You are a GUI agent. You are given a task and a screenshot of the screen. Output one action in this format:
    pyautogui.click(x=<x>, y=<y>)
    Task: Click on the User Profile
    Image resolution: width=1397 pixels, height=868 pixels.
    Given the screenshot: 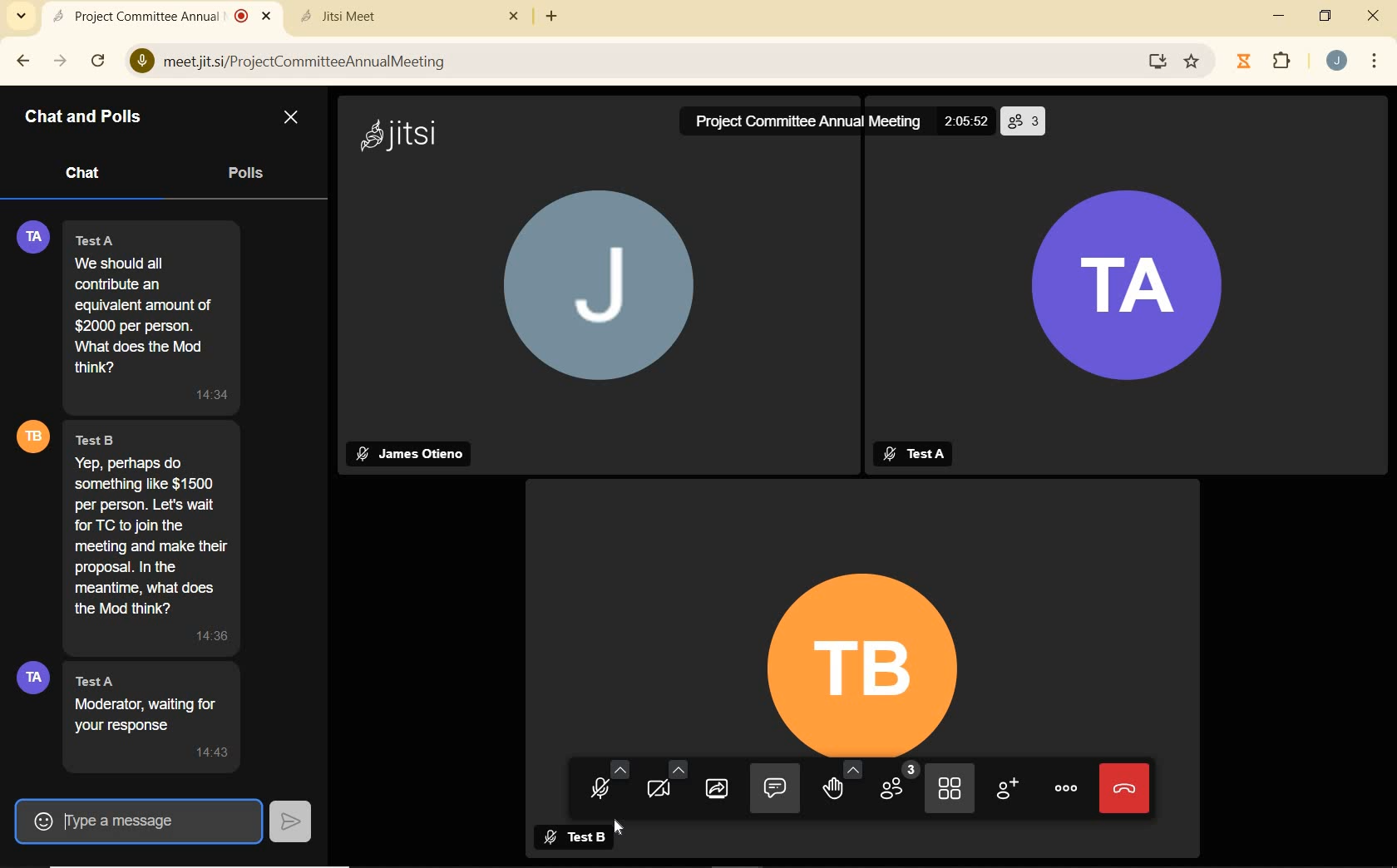 What is the action you would take?
    pyautogui.click(x=34, y=436)
    